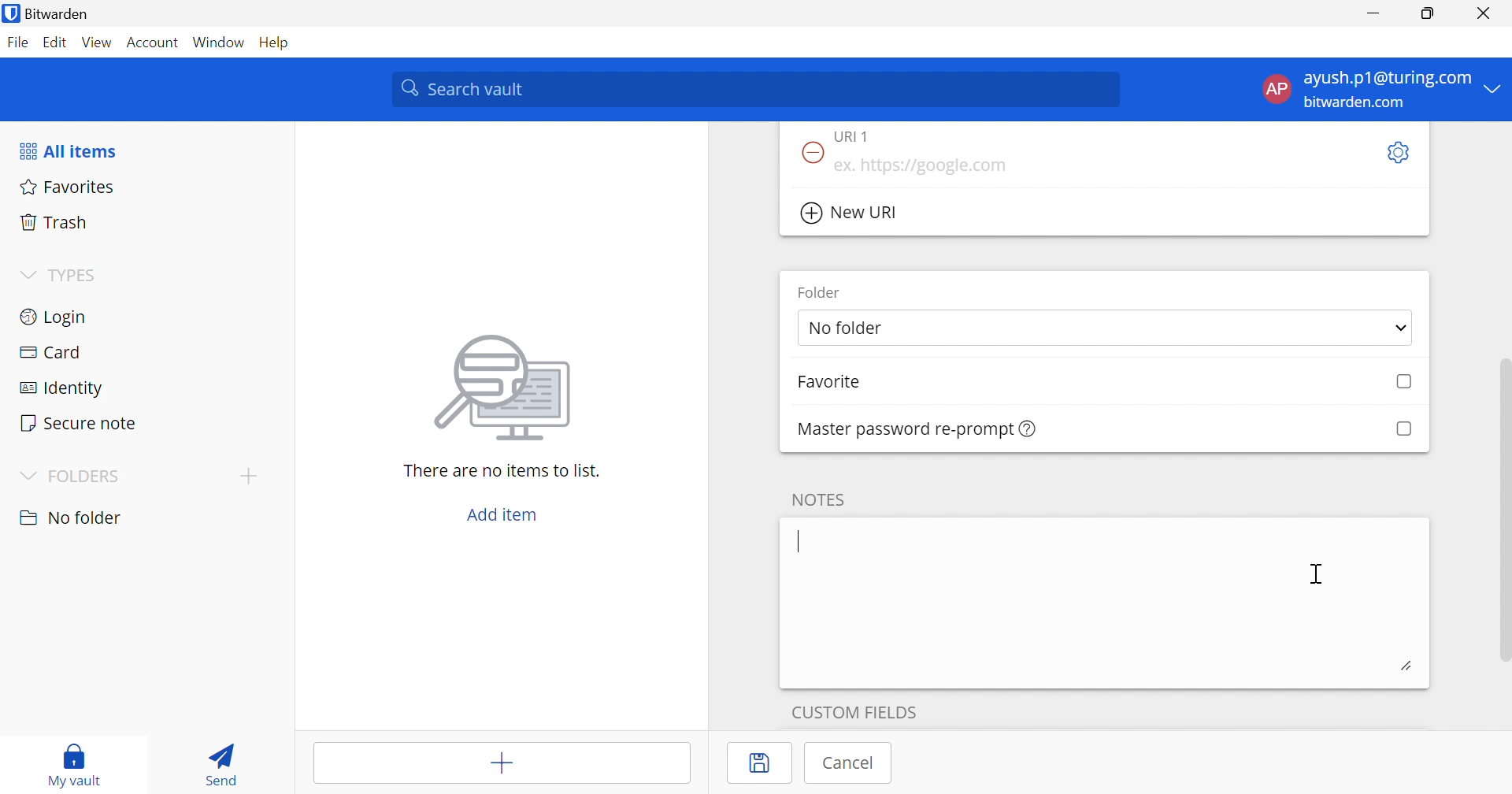 The image size is (1512, 794). What do you see at coordinates (850, 762) in the screenshot?
I see `Cancel` at bounding box center [850, 762].